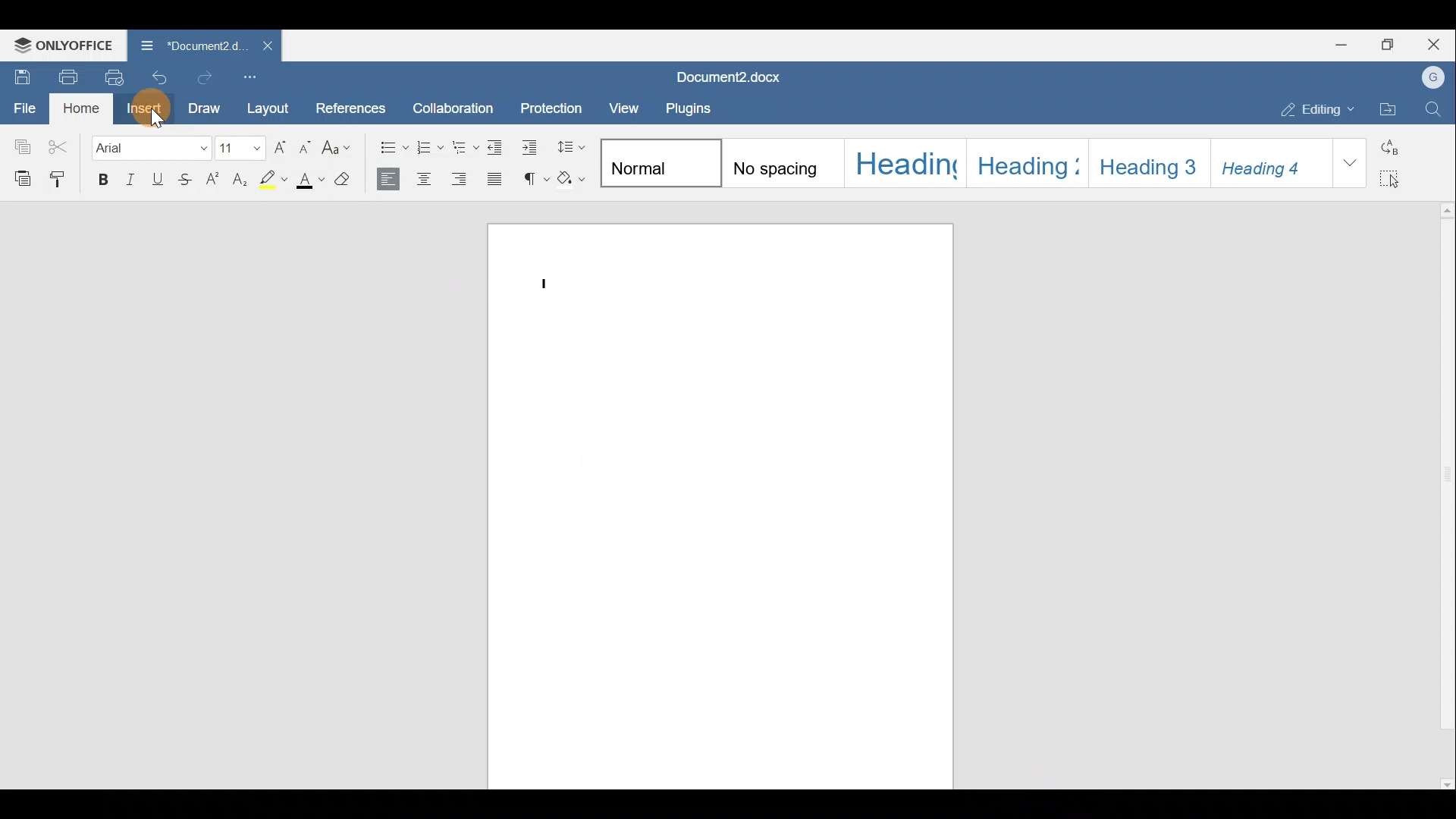  I want to click on Replace, so click(1401, 147).